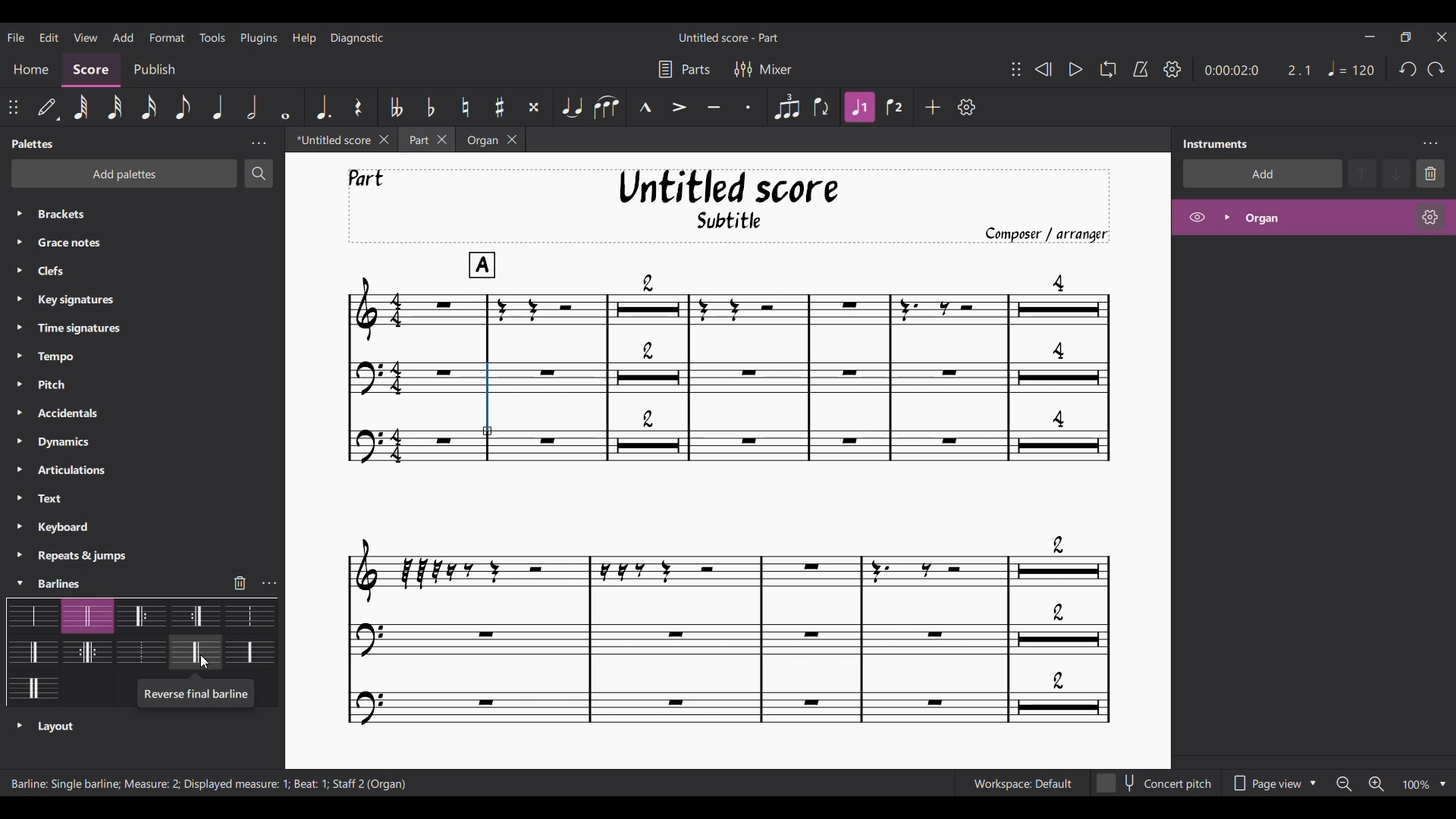  What do you see at coordinates (285, 107) in the screenshot?
I see `Whole note` at bounding box center [285, 107].